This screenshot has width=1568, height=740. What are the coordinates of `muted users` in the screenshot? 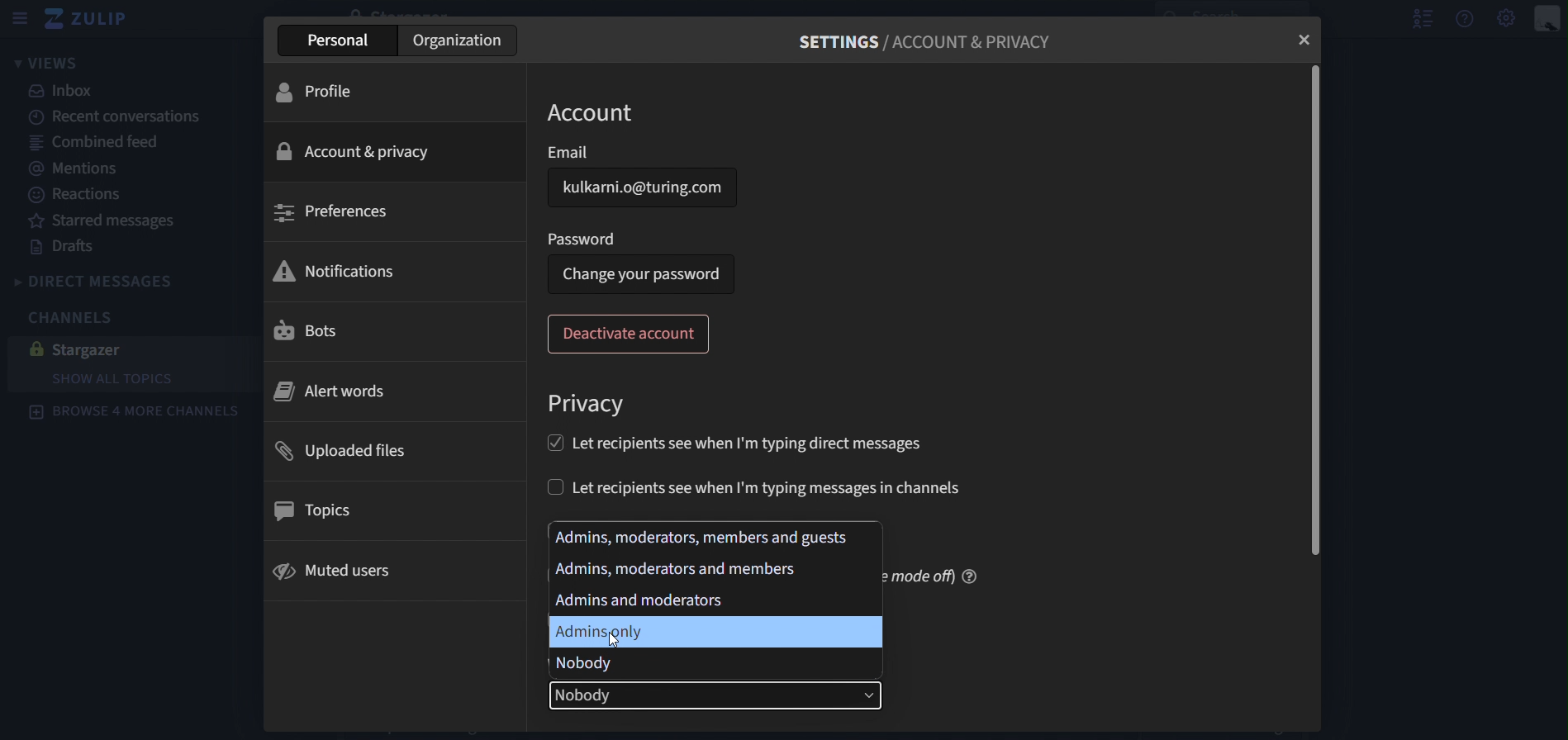 It's located at (339, 572).